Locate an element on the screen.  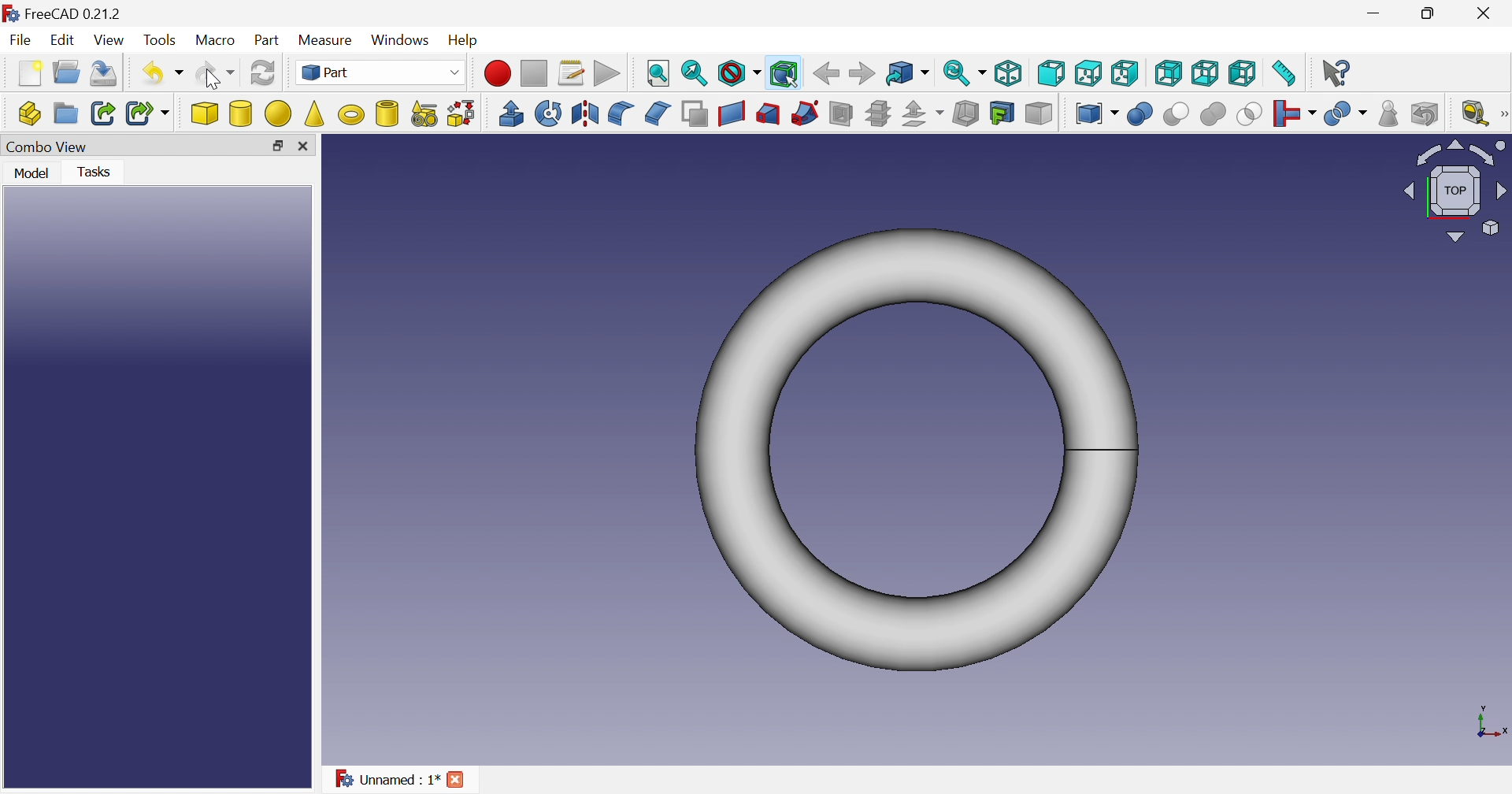
Sphere is located at coordinates (277, 115).